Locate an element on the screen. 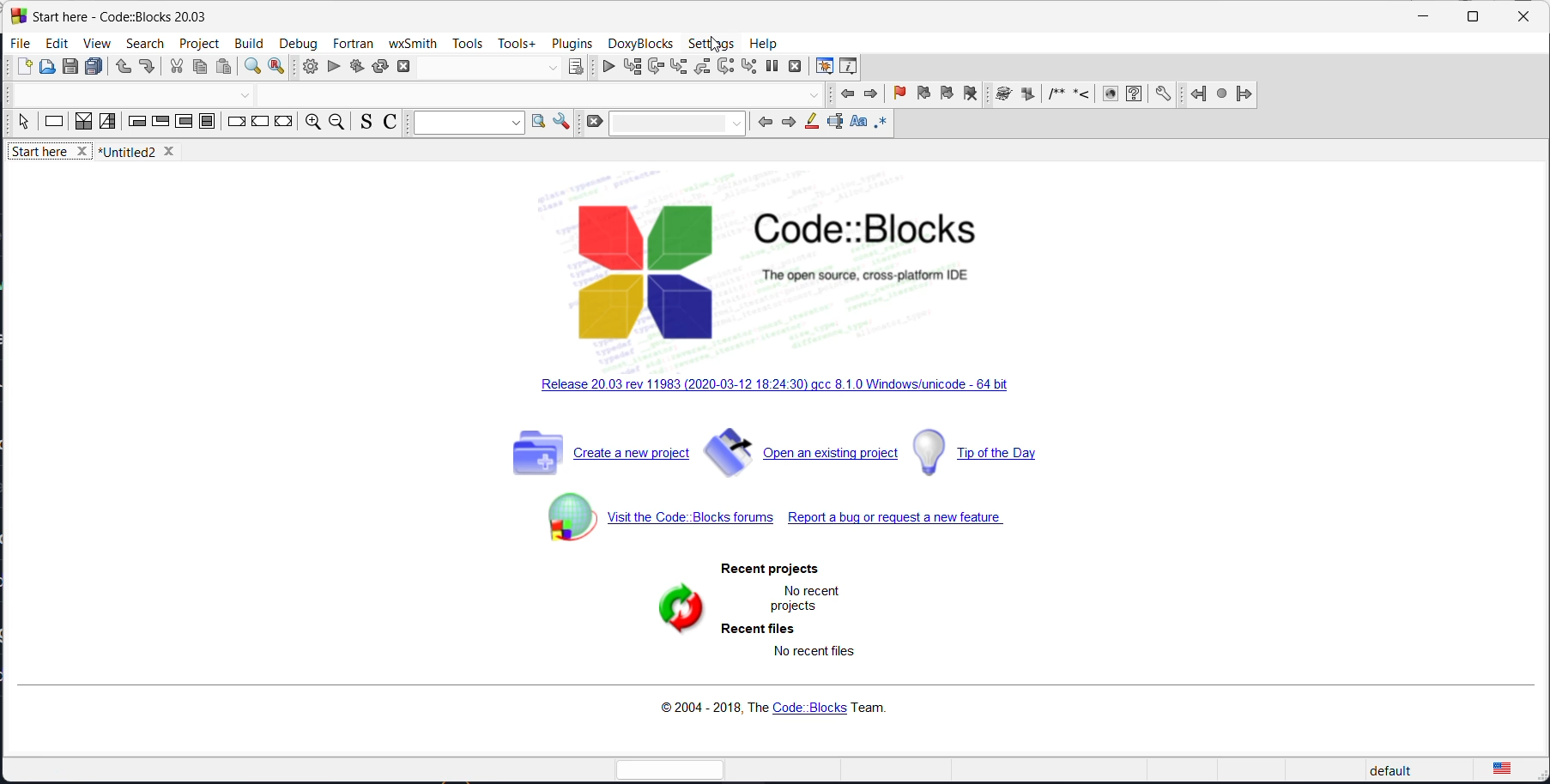 This screenshot has width=1550, height=784. next instruction is located at coordinates (726, 66).